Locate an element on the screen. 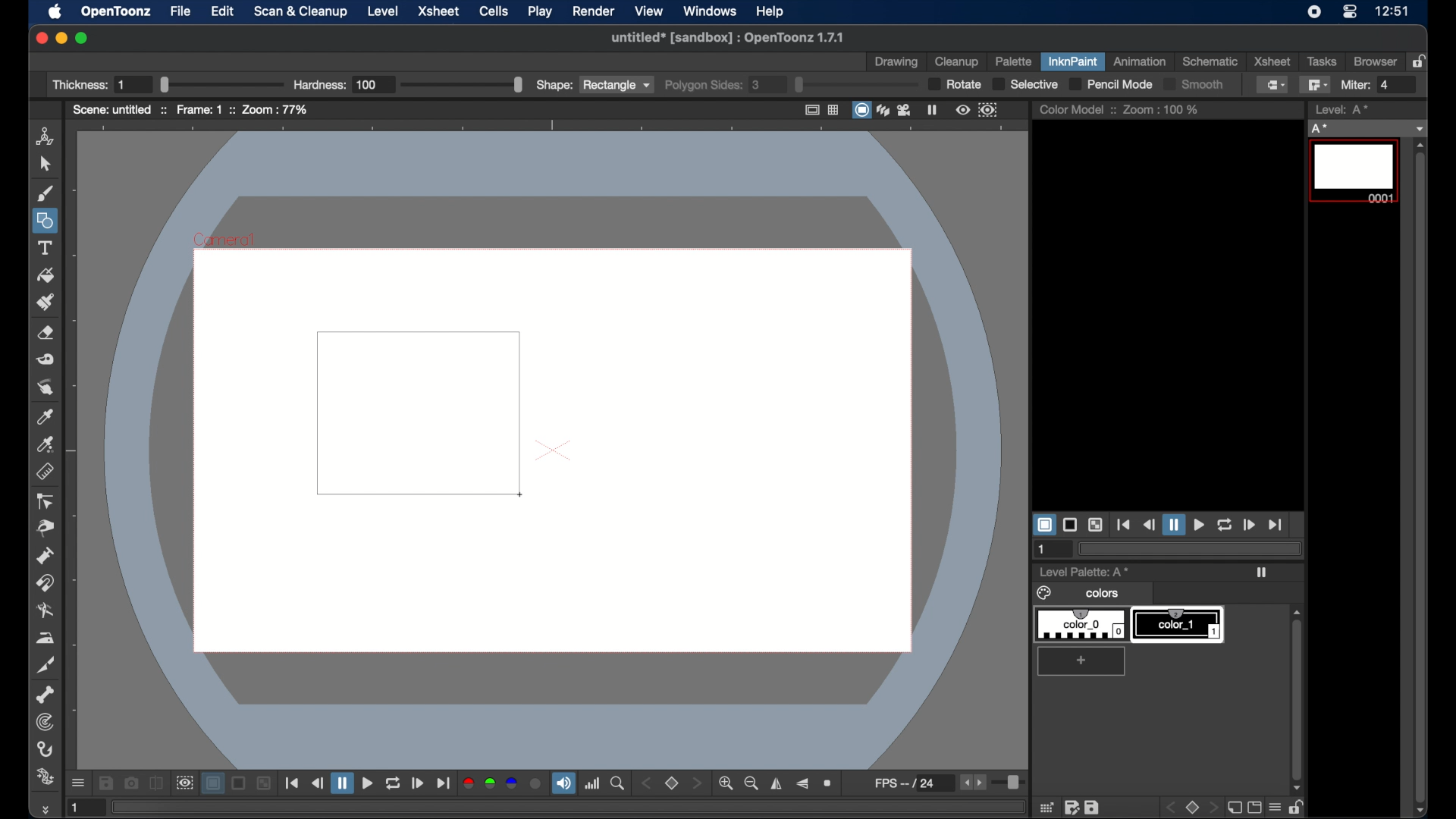 Image resolution: width=1456 pixels, height=819 pixels. camera is located at coordinates (906, 109).